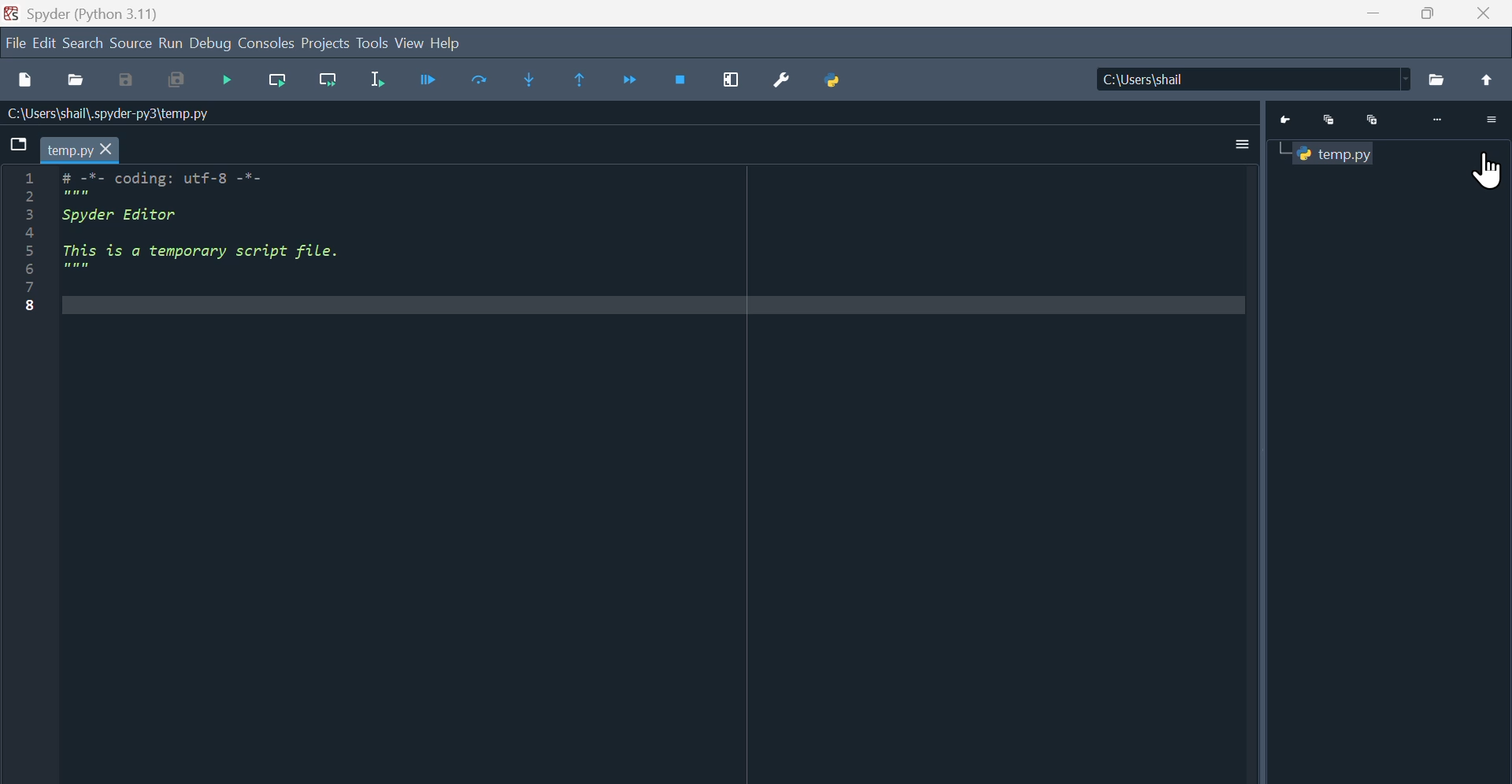 Image resolution: width=1512 pixels, height=784 pixels. What do you see at coordinates (1375, 13) in the screenshot?
I see `minimise` at bounding box center [1375, 13].